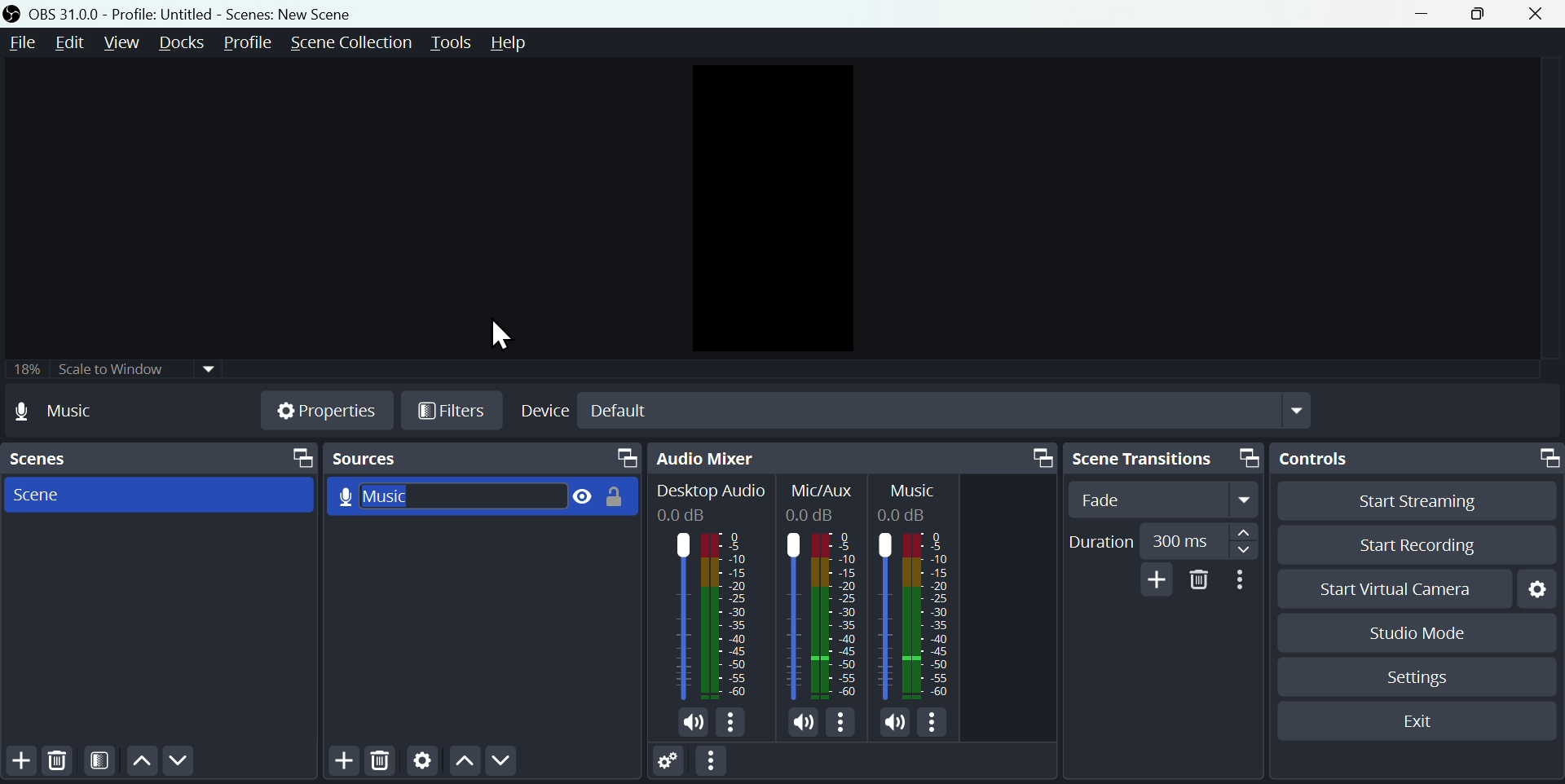  I want to click on Add, so click(23, 765).